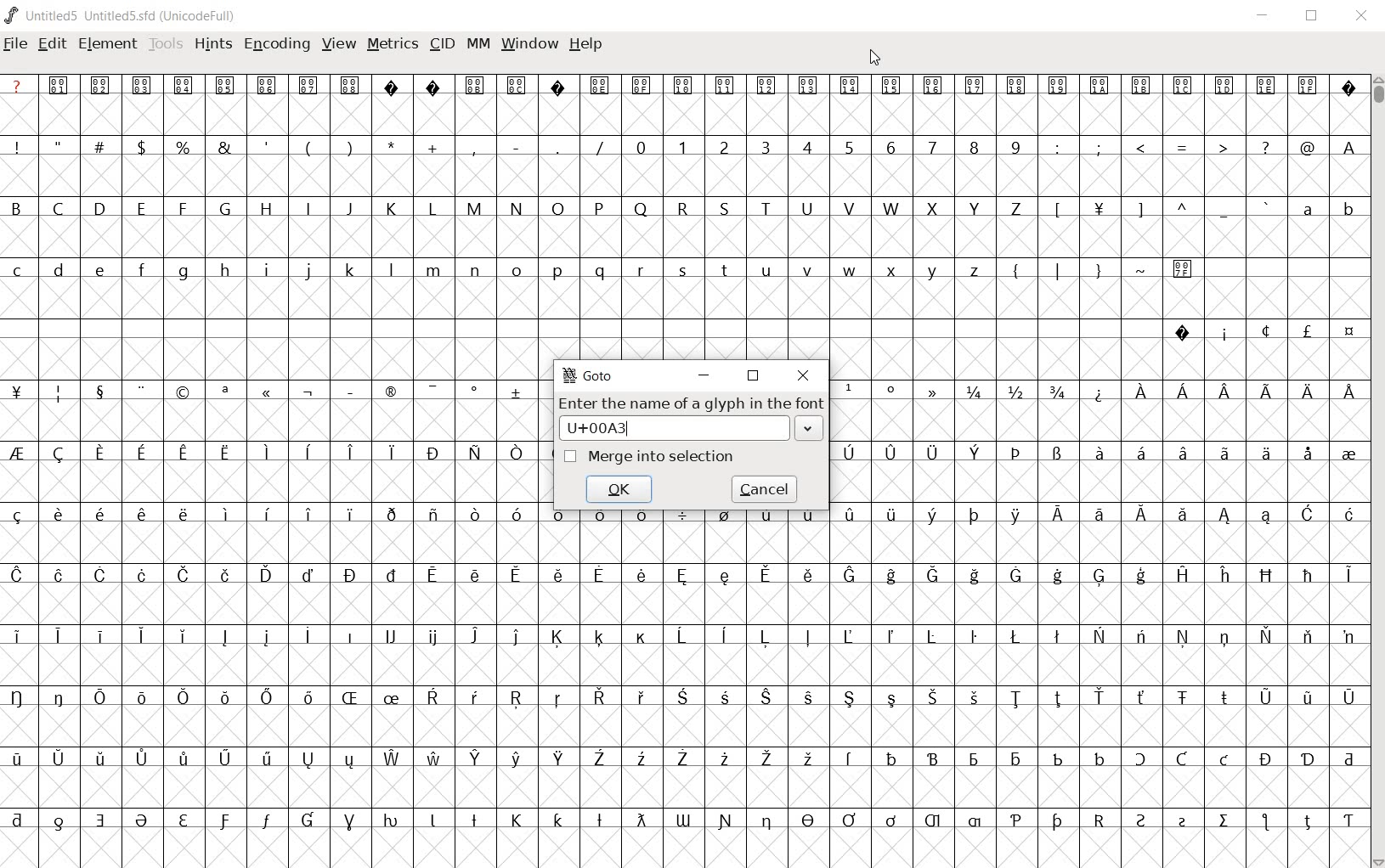 Image resolution: width=1385 pixels, height=868 pixels. I want to click on /, so click(597, 148).